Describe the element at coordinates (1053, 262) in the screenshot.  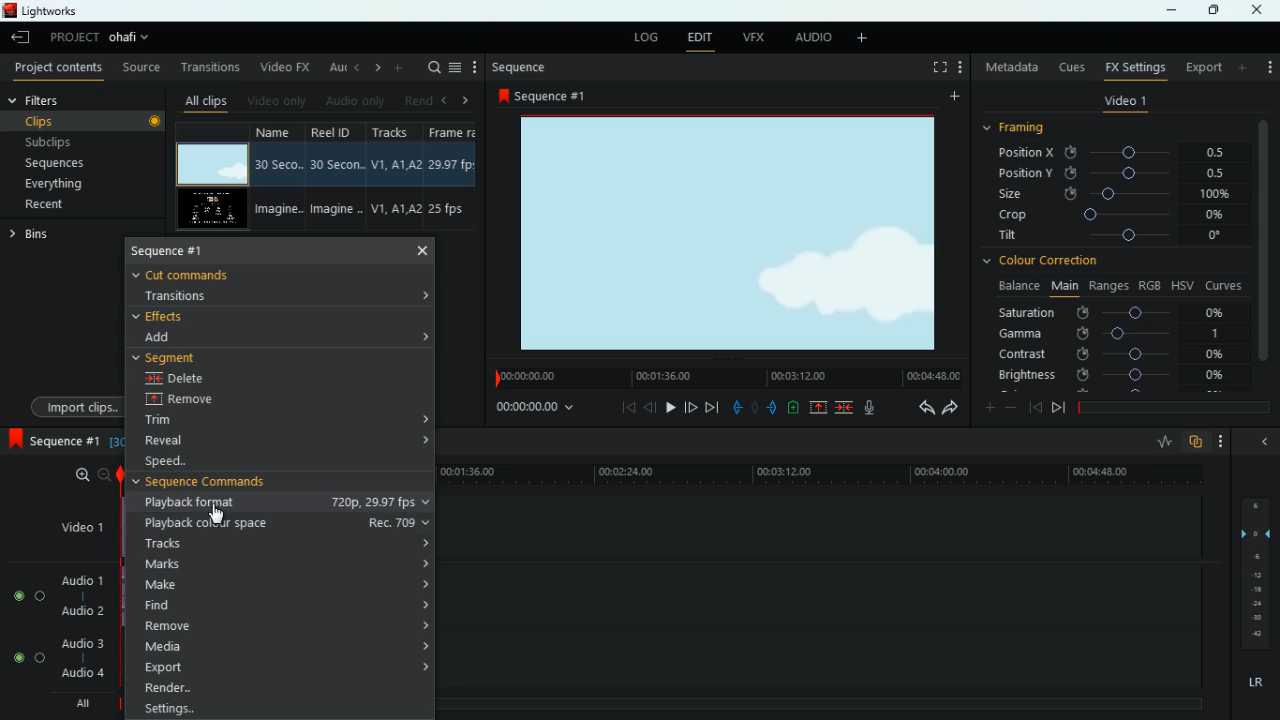
I see `colour correction` at that location.